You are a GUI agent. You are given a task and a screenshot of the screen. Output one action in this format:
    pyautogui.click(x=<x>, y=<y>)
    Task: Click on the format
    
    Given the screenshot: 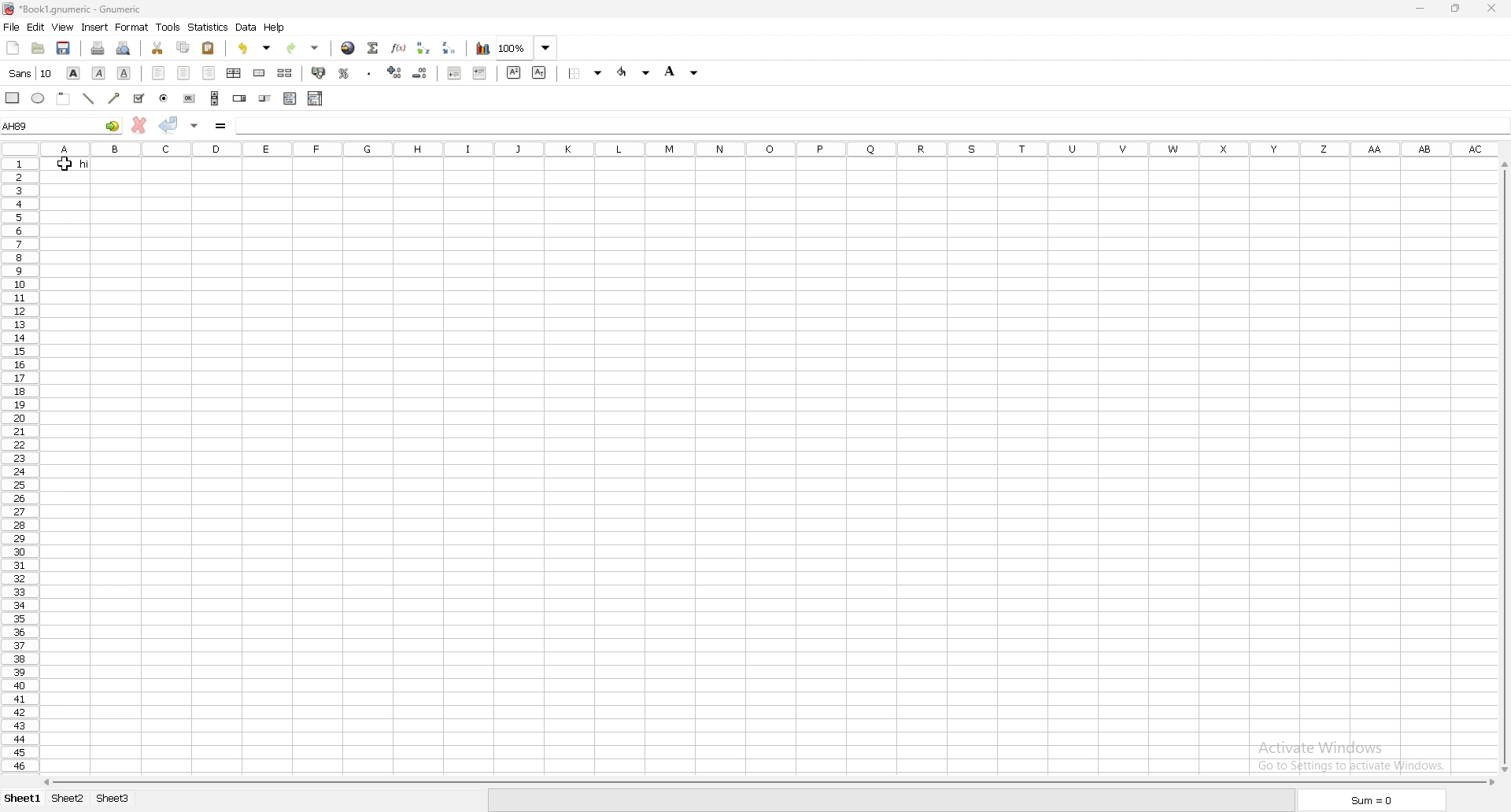 What is the action you would take?
    pyautogui.click(x=132, y=28)
    